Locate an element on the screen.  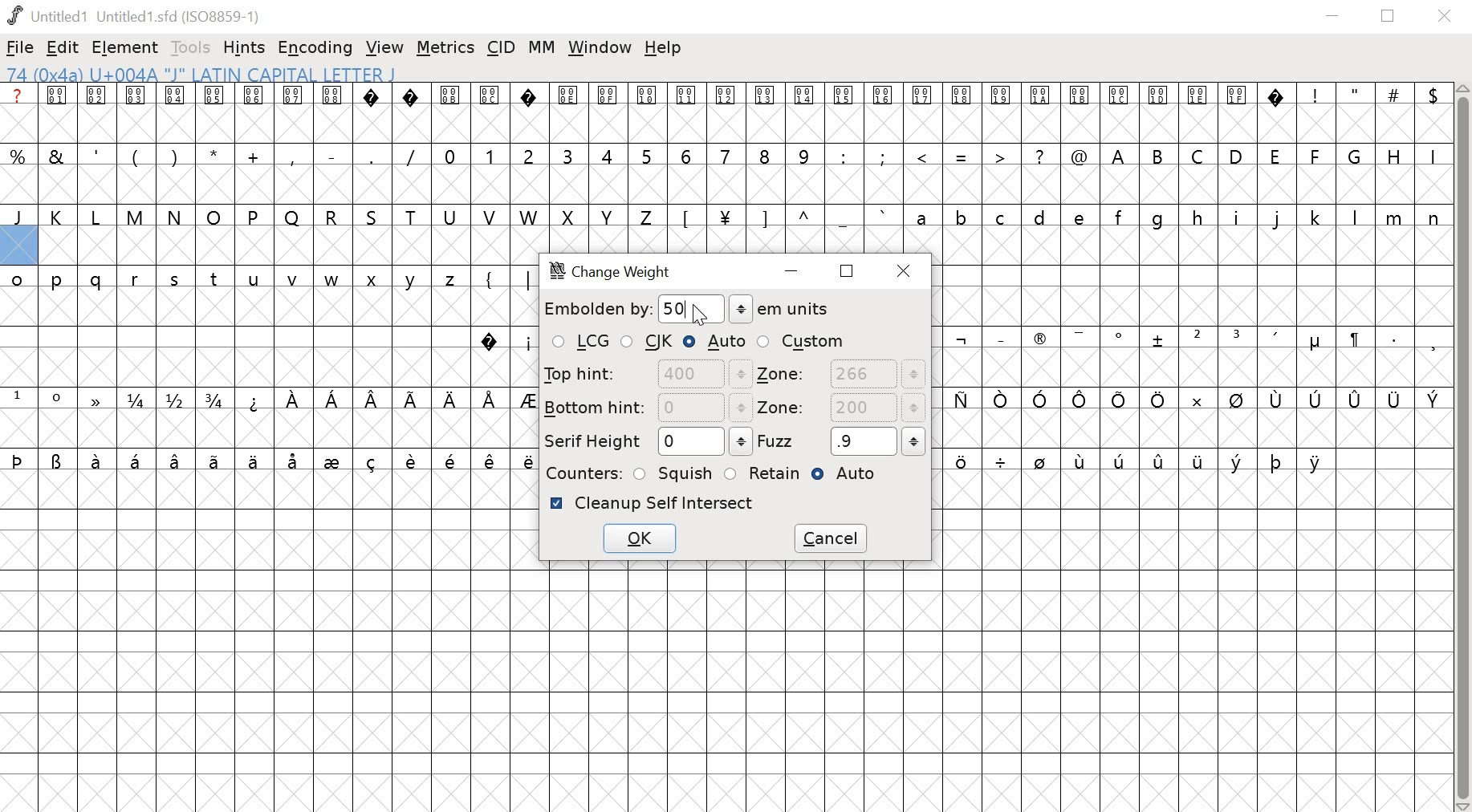
symbols is located at coordinates (1197, 340).